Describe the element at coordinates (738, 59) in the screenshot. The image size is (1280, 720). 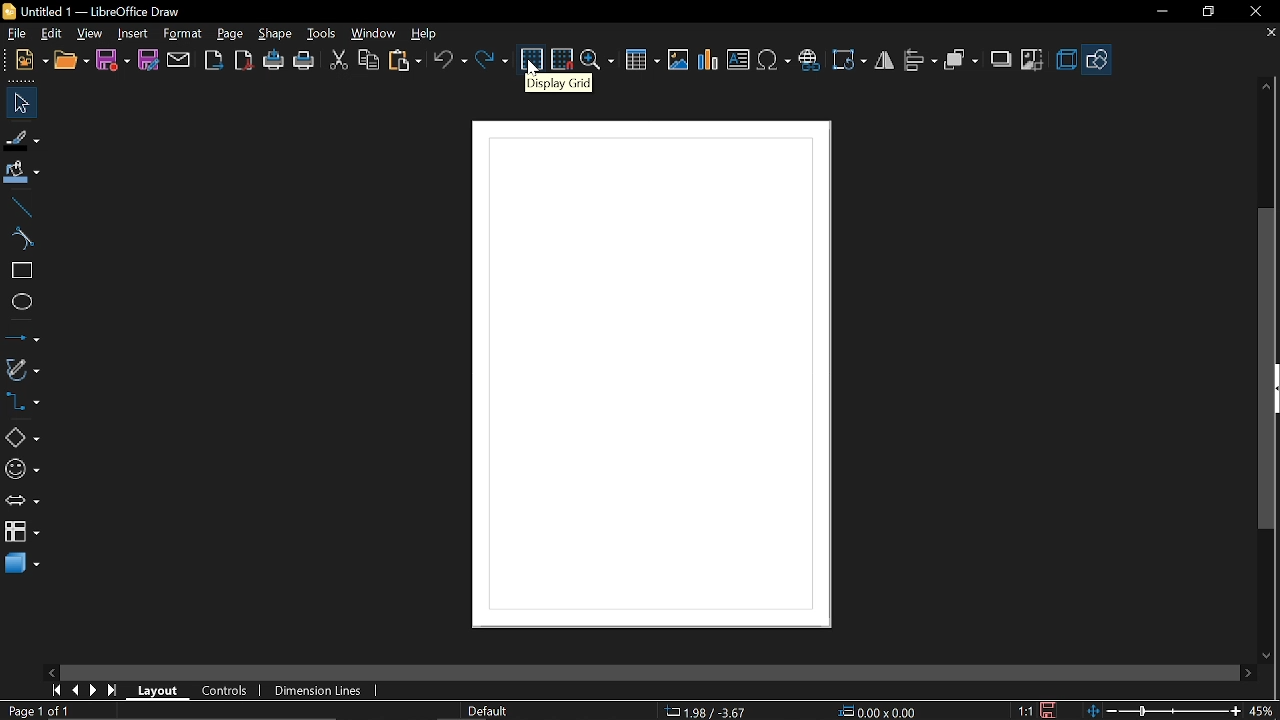
I see `Insret text` at that location.